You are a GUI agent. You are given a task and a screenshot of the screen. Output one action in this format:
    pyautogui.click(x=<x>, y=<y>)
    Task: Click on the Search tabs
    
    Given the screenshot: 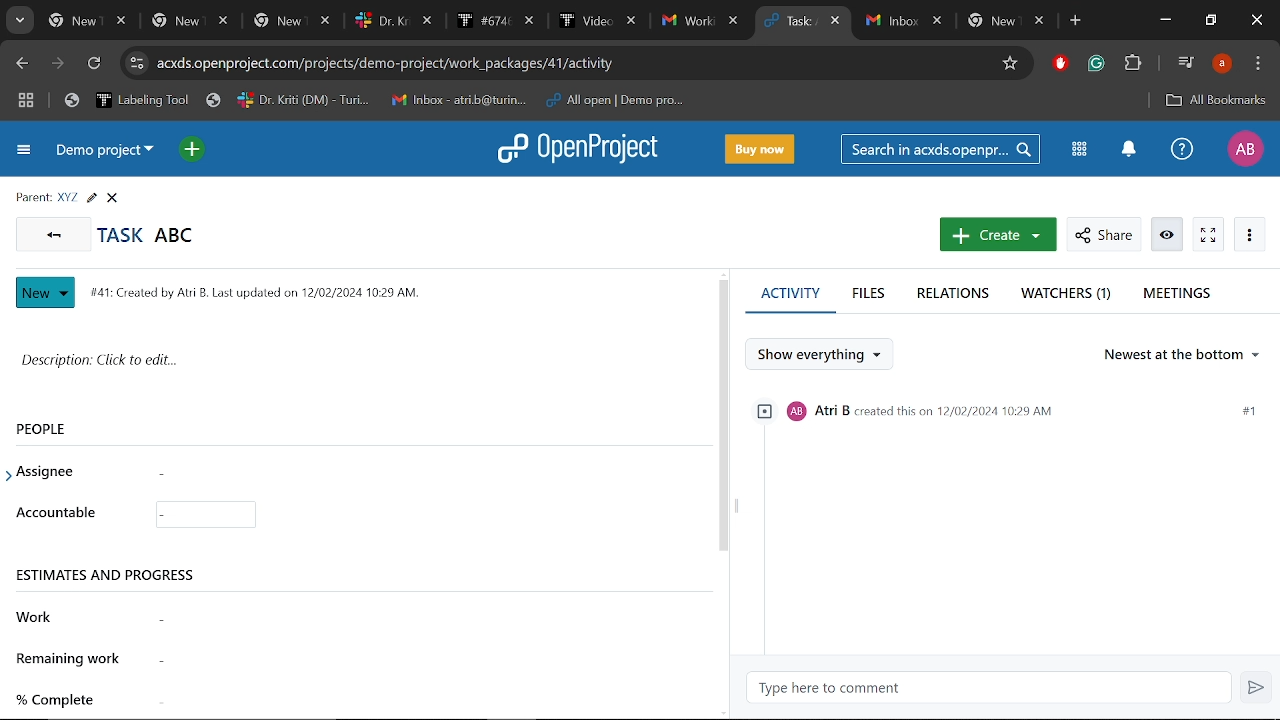 What is the action you would take?
    pyautogui.click(x=18, y=21)
    